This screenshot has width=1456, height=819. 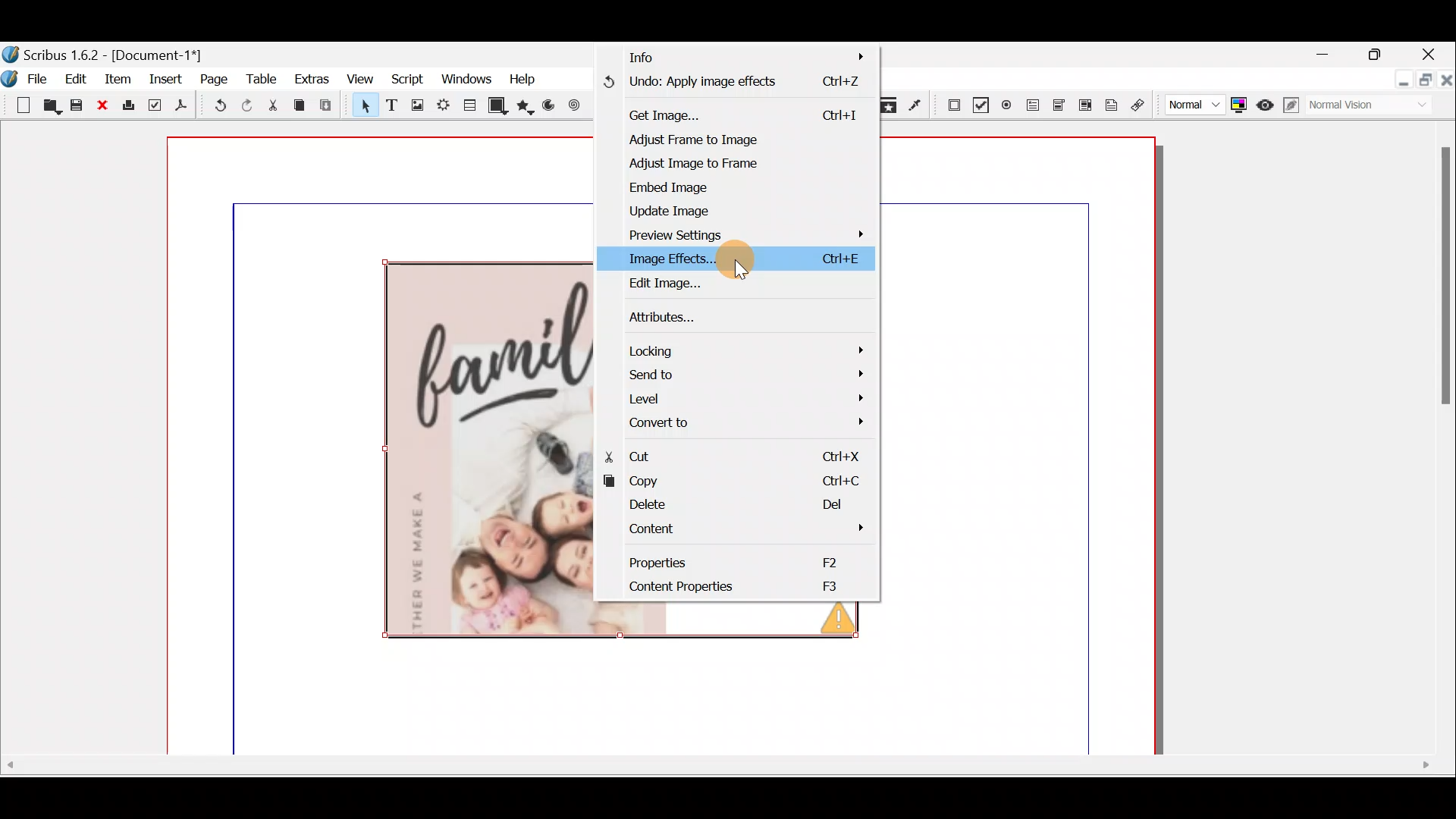 I want to click on Undo, so click(x=213, y=106).